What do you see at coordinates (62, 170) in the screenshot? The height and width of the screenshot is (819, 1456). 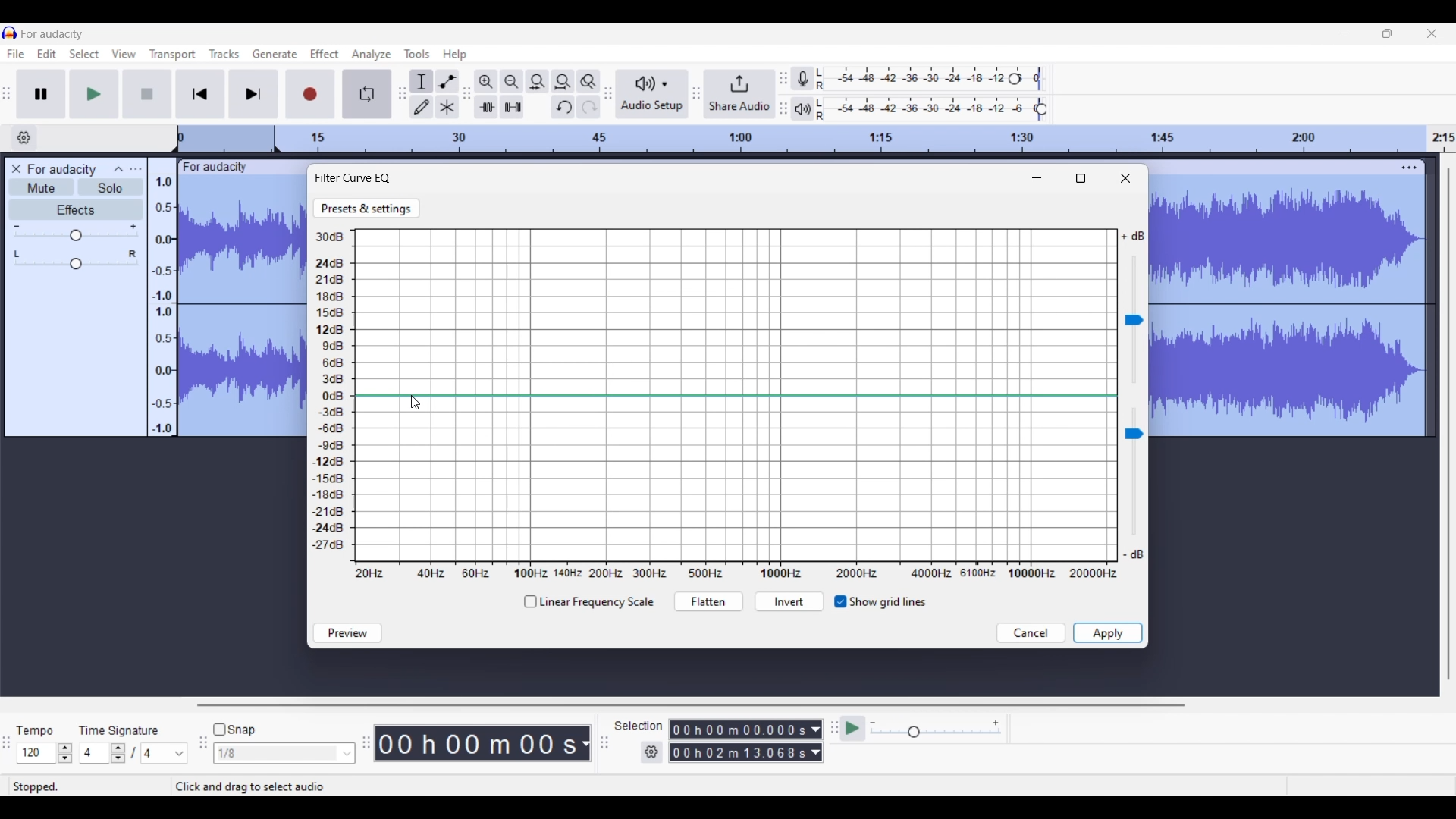 I see `Audio track name` at bounding box center [62, 170].